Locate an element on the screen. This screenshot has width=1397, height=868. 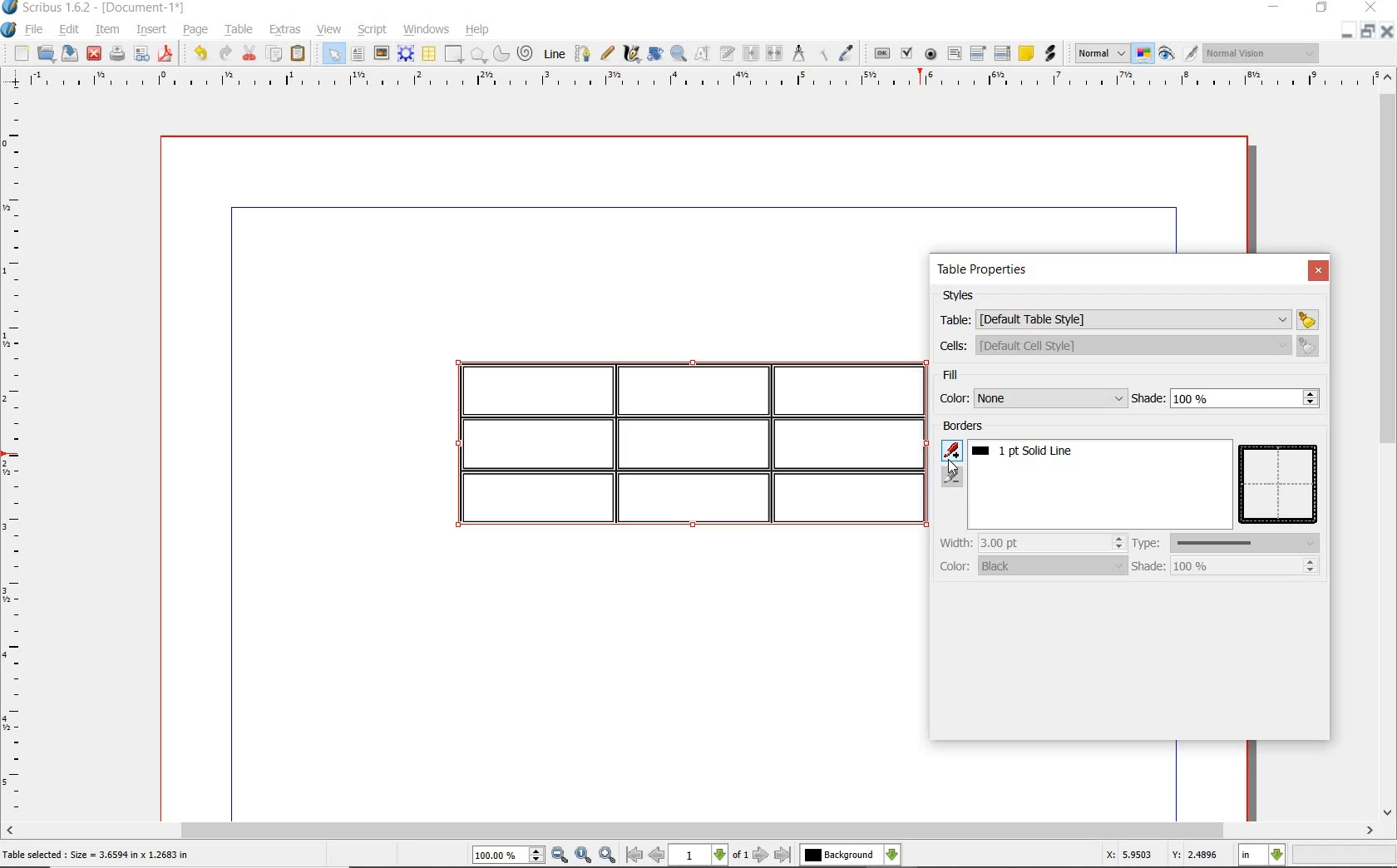
eye dropper is located at coordinates (847, 55).